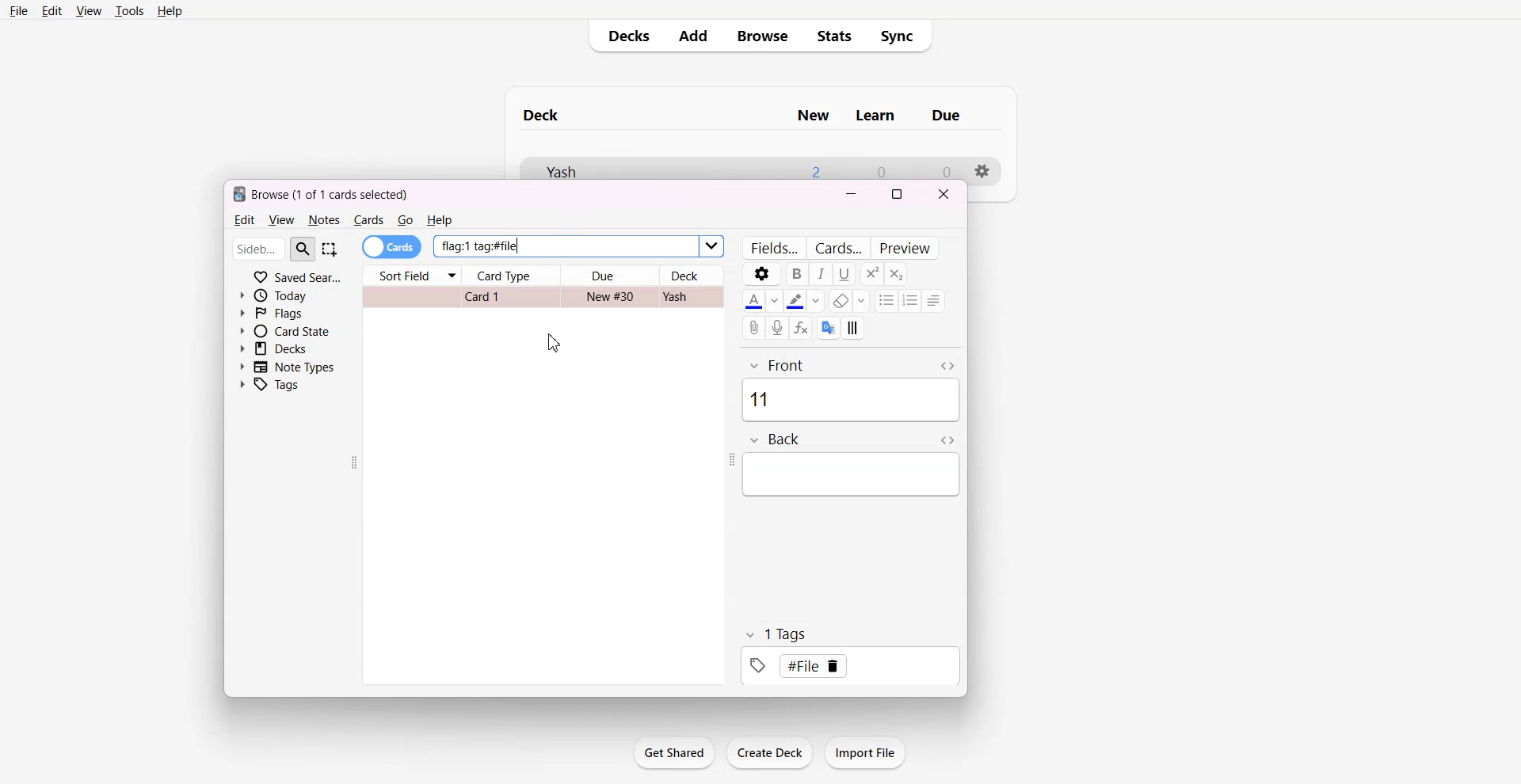  Describe the element at coordinates (769, 752) in the screenshot. I see `Crate Deck` at that location.